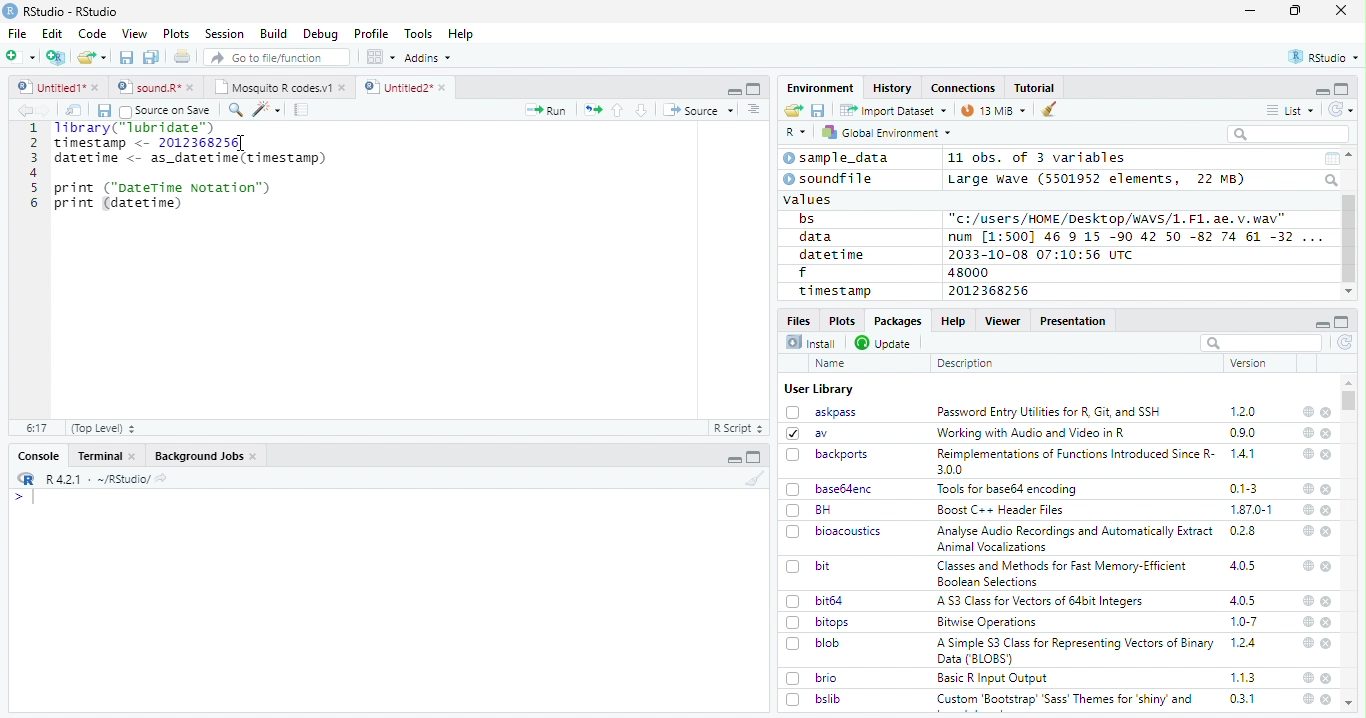  What do you see at coordinates (989, 622) in the screenshot?
I see `Bitwise Operations` at bounding box center [989, 622].